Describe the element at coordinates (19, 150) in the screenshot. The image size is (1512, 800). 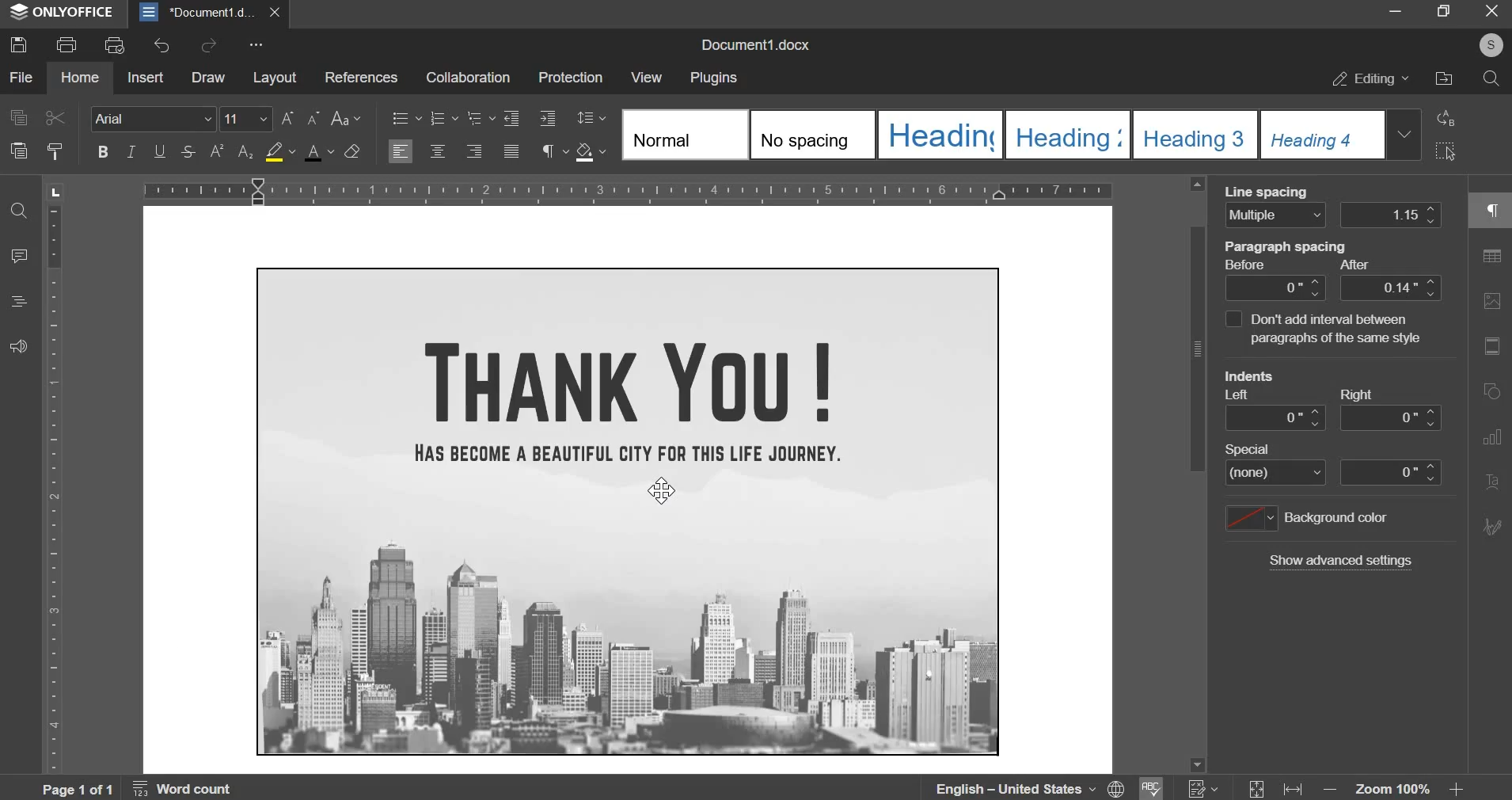
I see `paste` at that location.